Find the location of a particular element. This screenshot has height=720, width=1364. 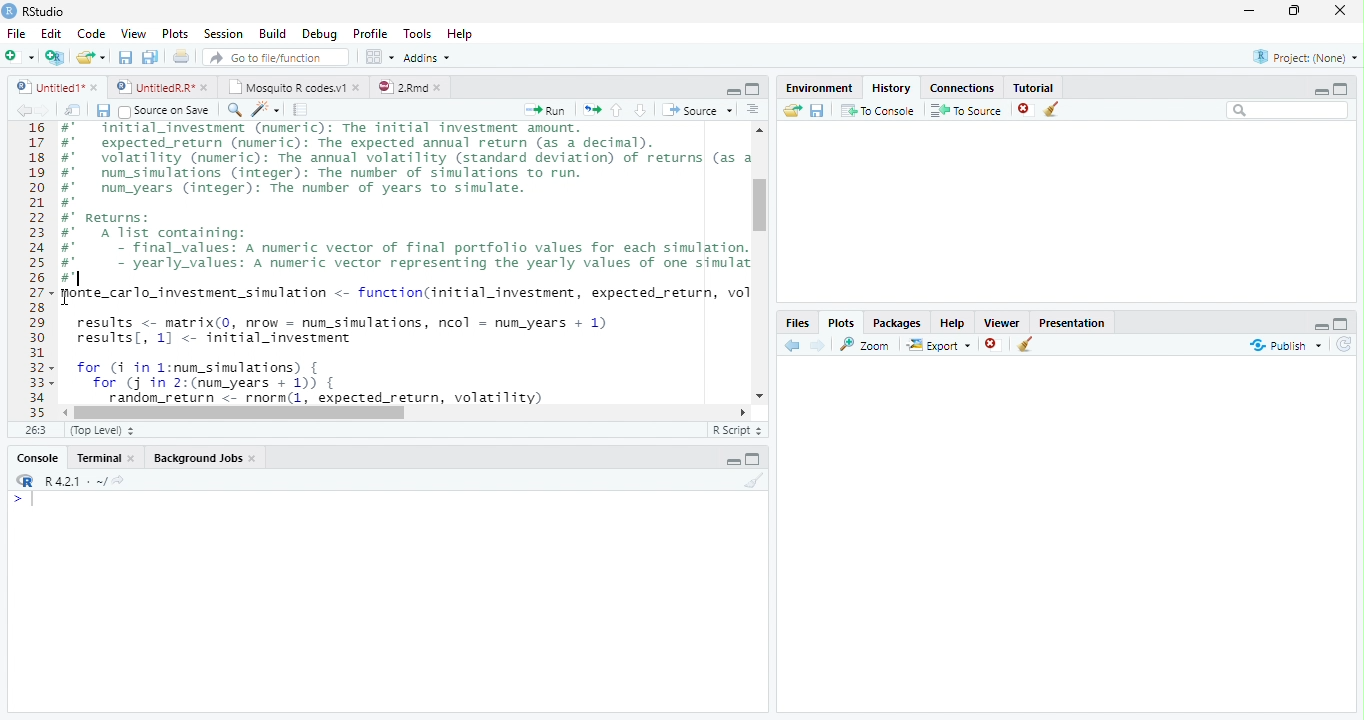

Print is located at coordinates (181, 56).